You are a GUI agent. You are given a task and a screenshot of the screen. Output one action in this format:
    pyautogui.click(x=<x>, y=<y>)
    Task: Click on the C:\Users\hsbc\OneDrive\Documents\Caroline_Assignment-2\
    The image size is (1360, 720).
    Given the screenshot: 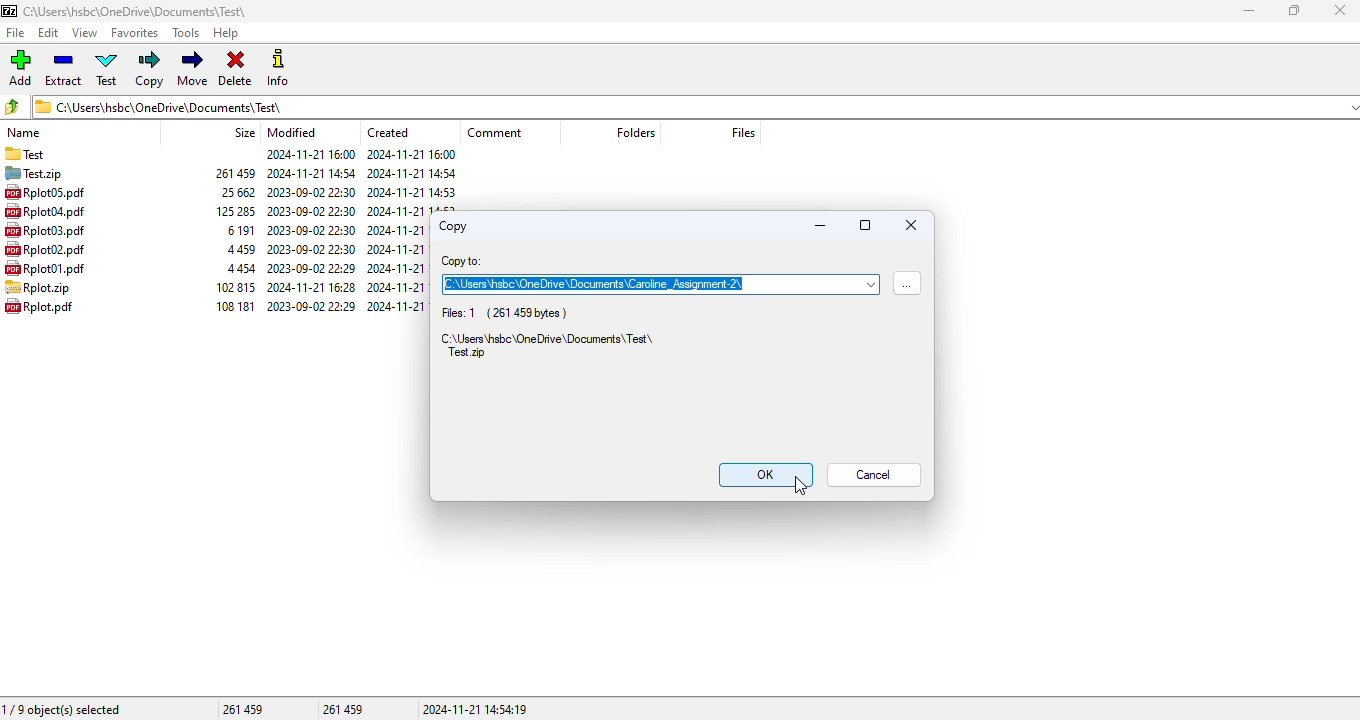 What is the action you would take?
    pyautogui.click(x=593, y=284)
    